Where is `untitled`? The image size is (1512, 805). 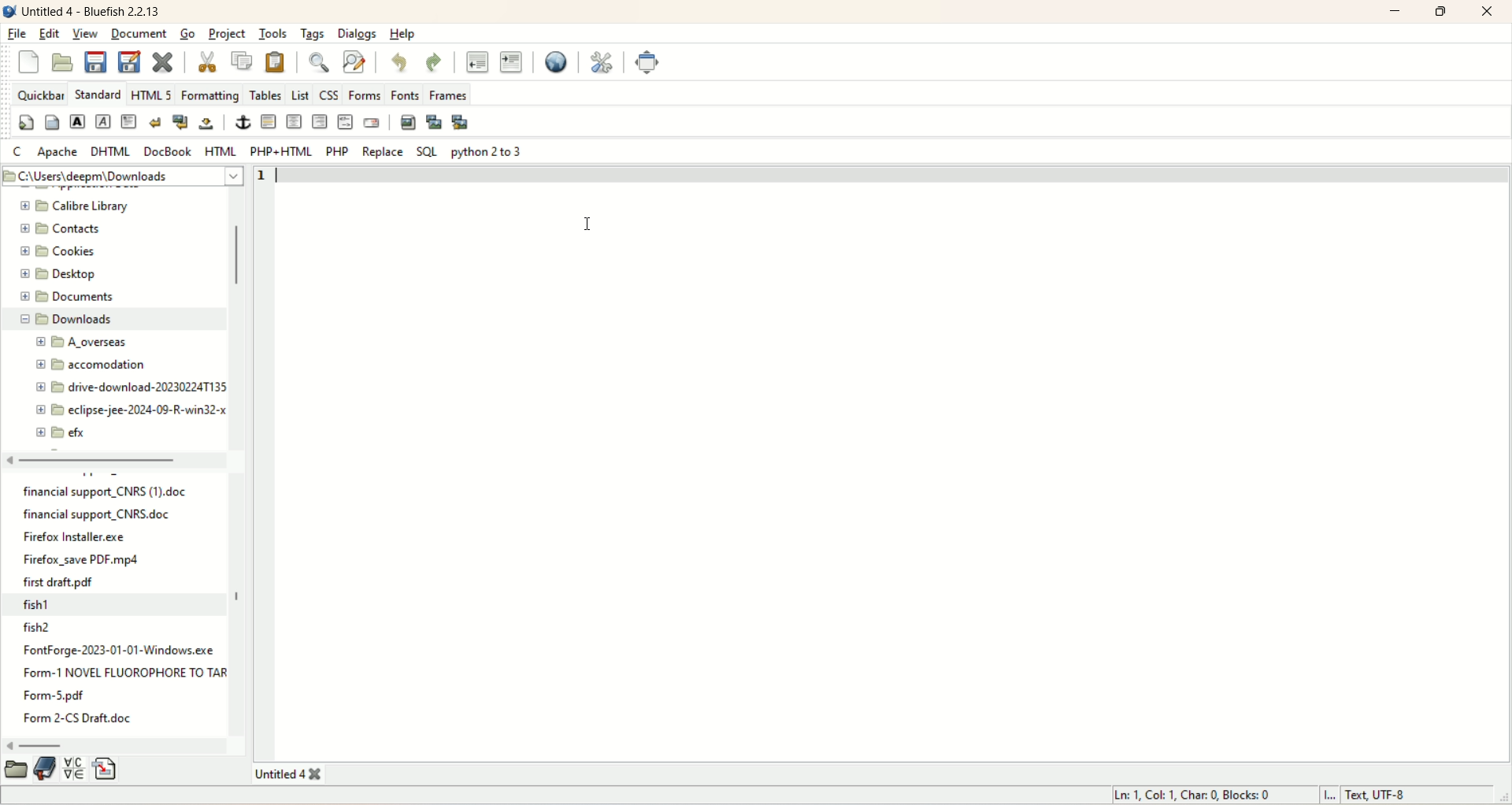
untitled is located at coordinates (96, 10).